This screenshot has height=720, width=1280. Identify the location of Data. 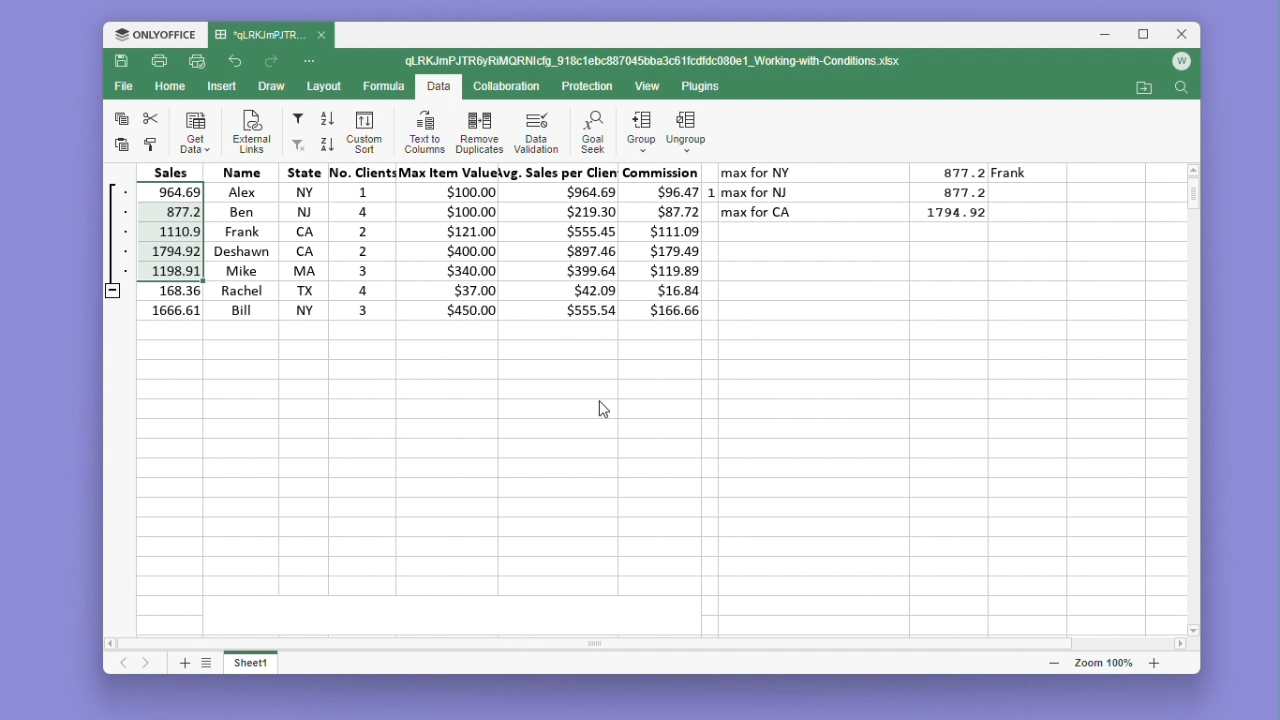
(438, 88).